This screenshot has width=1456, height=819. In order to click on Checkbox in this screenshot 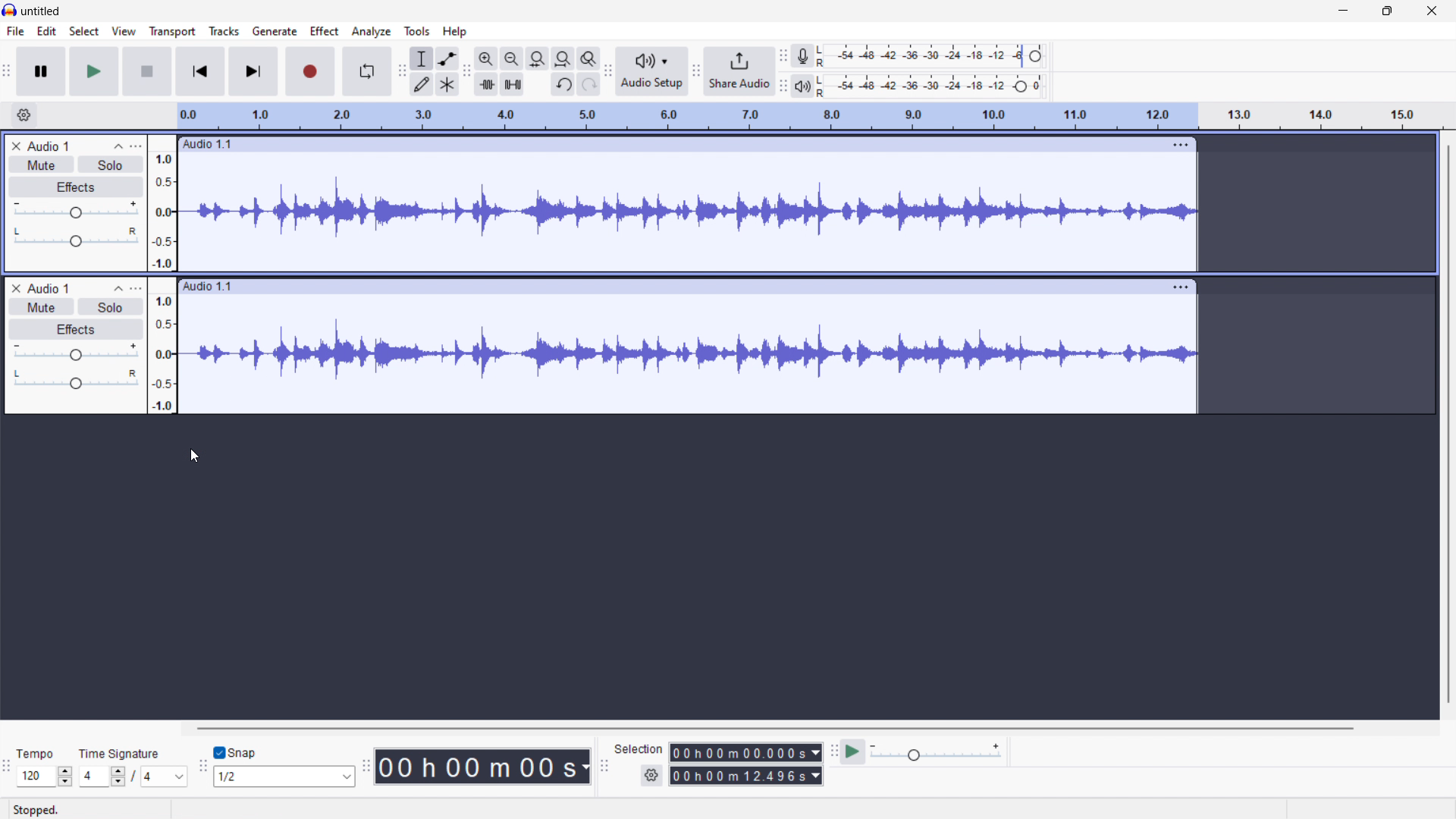, I will do `click(218, 753)`.